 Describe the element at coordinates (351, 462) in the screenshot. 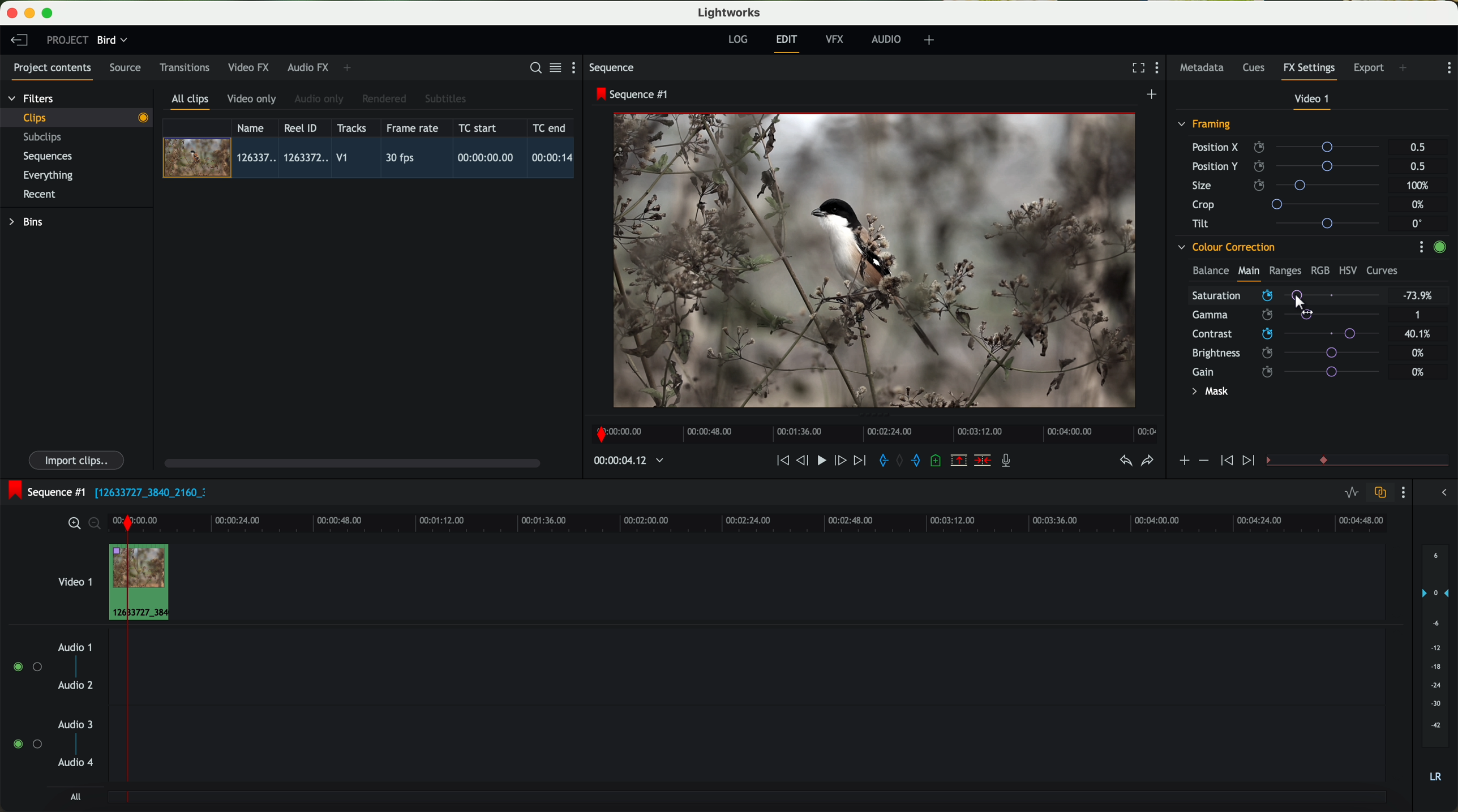

I see `scroll bar` at that location.